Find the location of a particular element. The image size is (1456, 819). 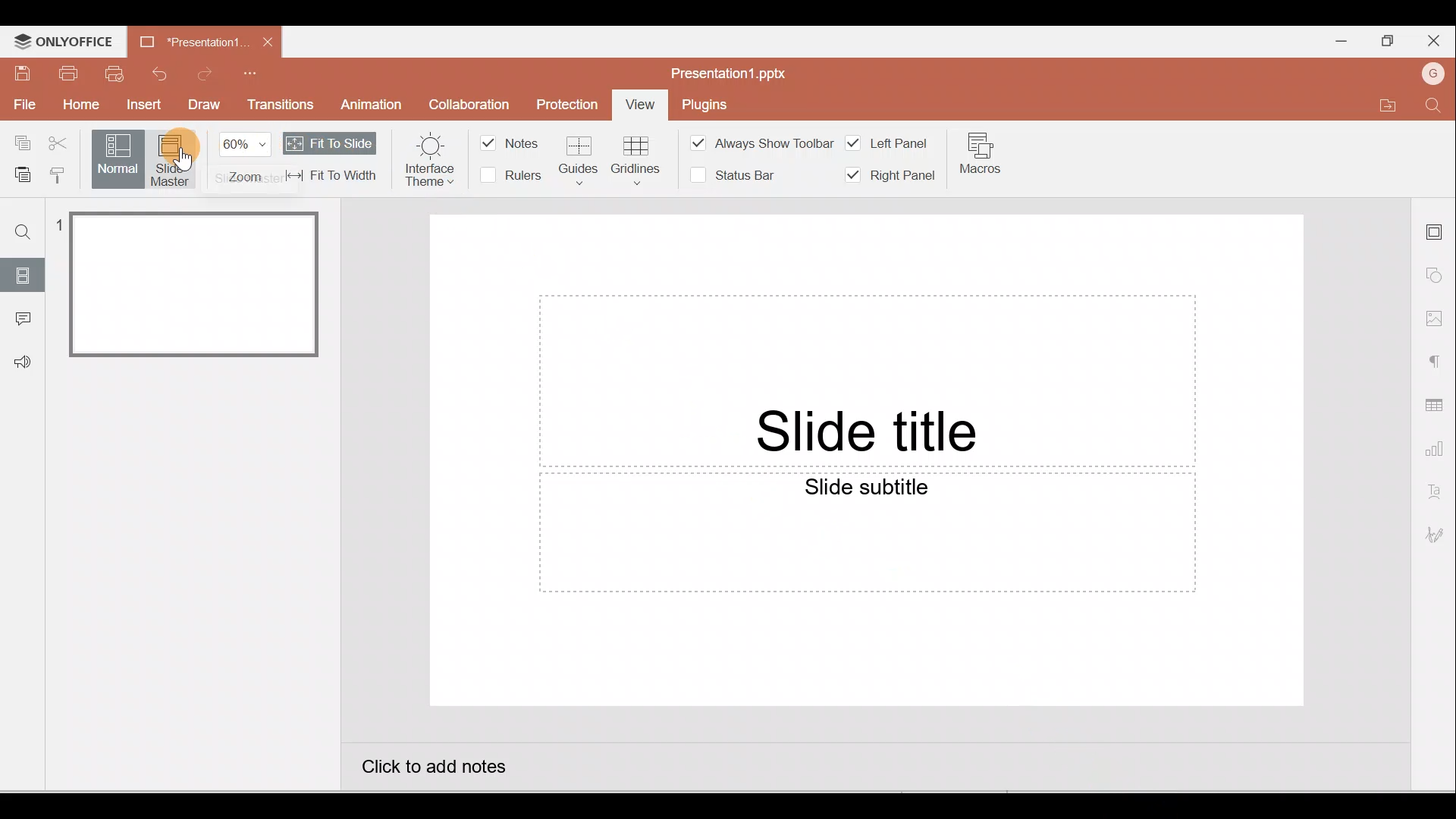

Close is located at coordinates (1437, 42).